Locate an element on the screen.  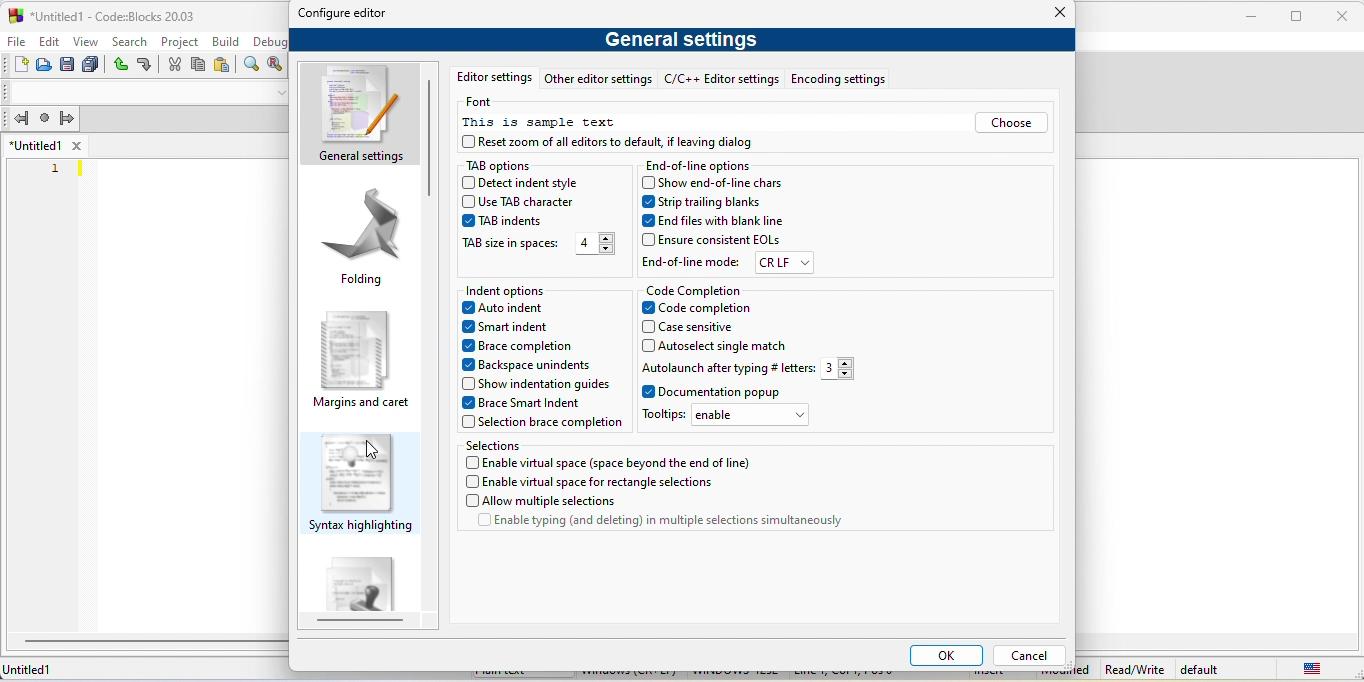
backspace unindents is located at coordinates (526, 364).